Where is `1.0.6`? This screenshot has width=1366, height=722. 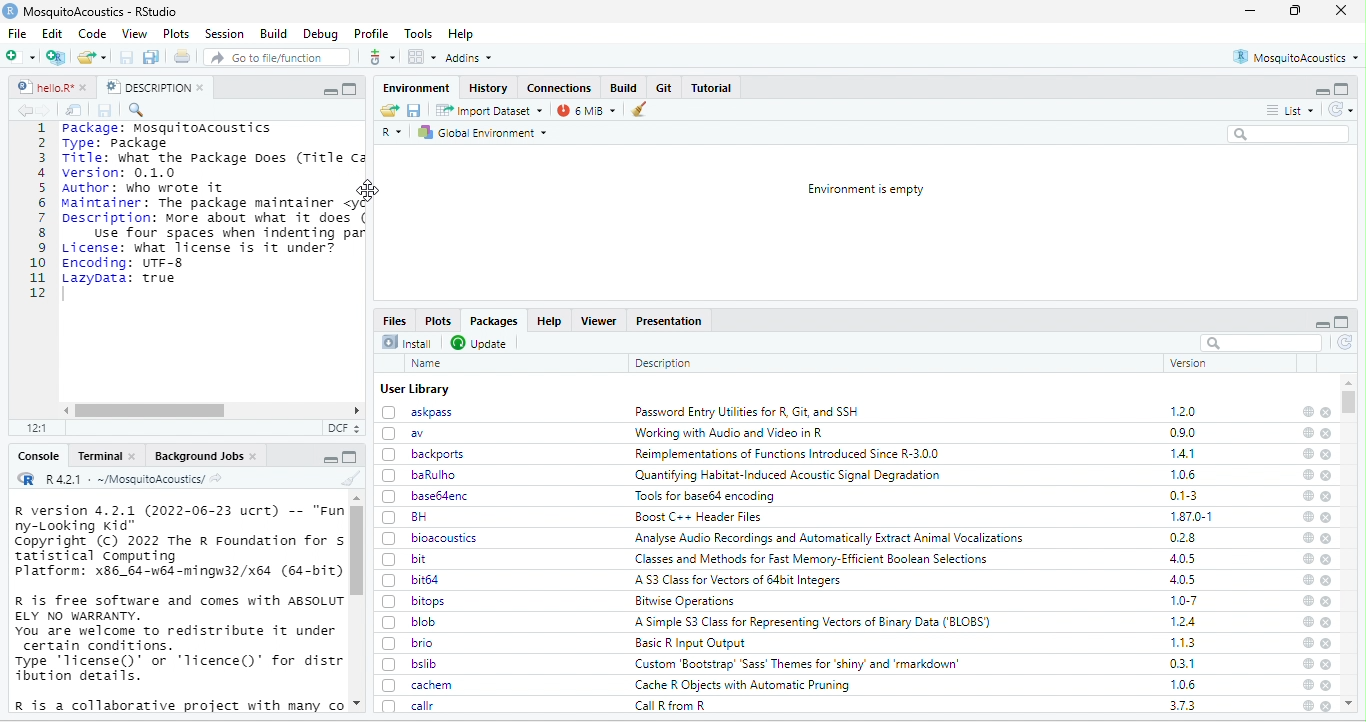 1.0.6 is located at coordinates (1185, 474).